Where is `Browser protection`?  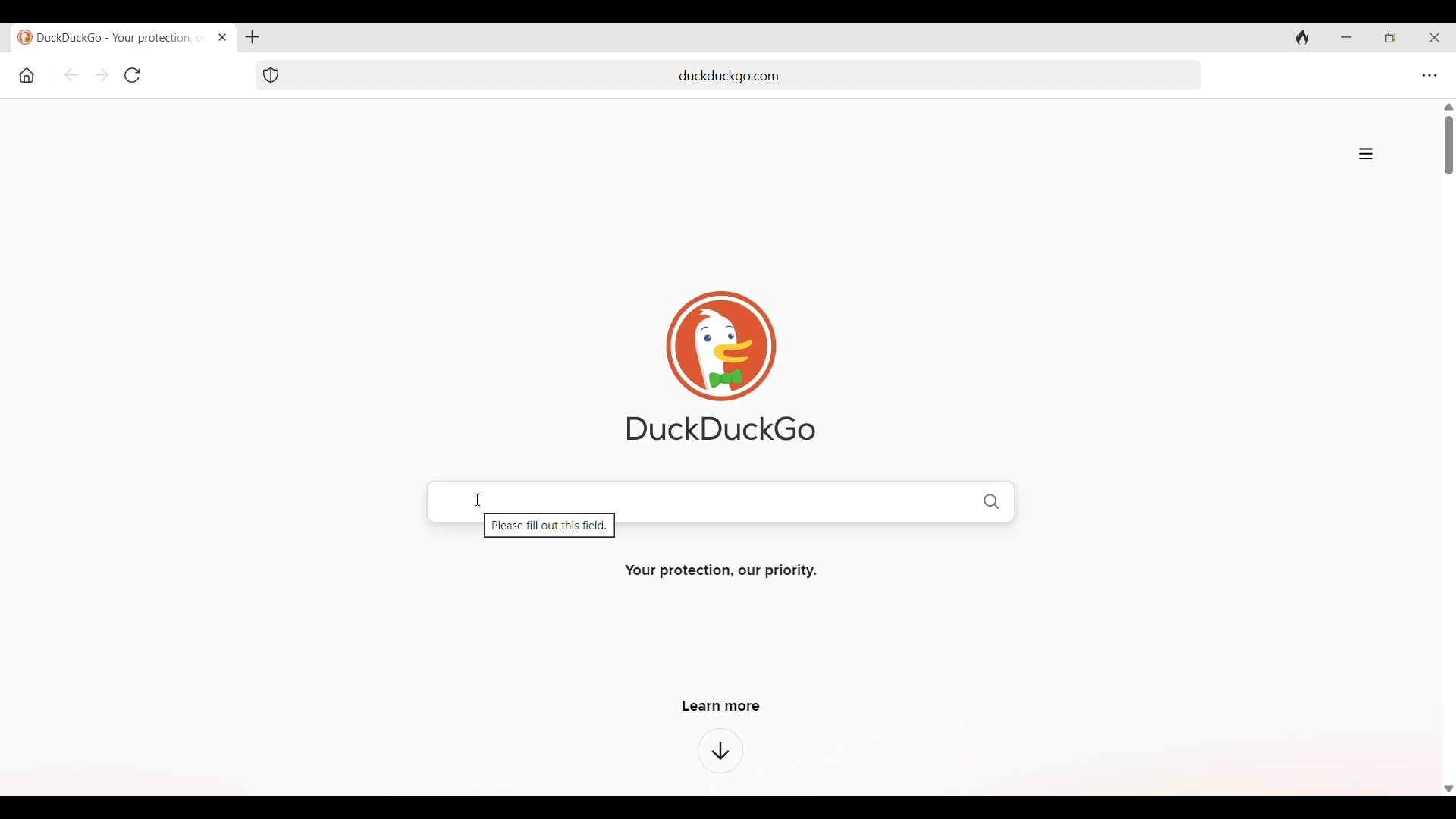
Browser protection is located at coordinates (271, 75).